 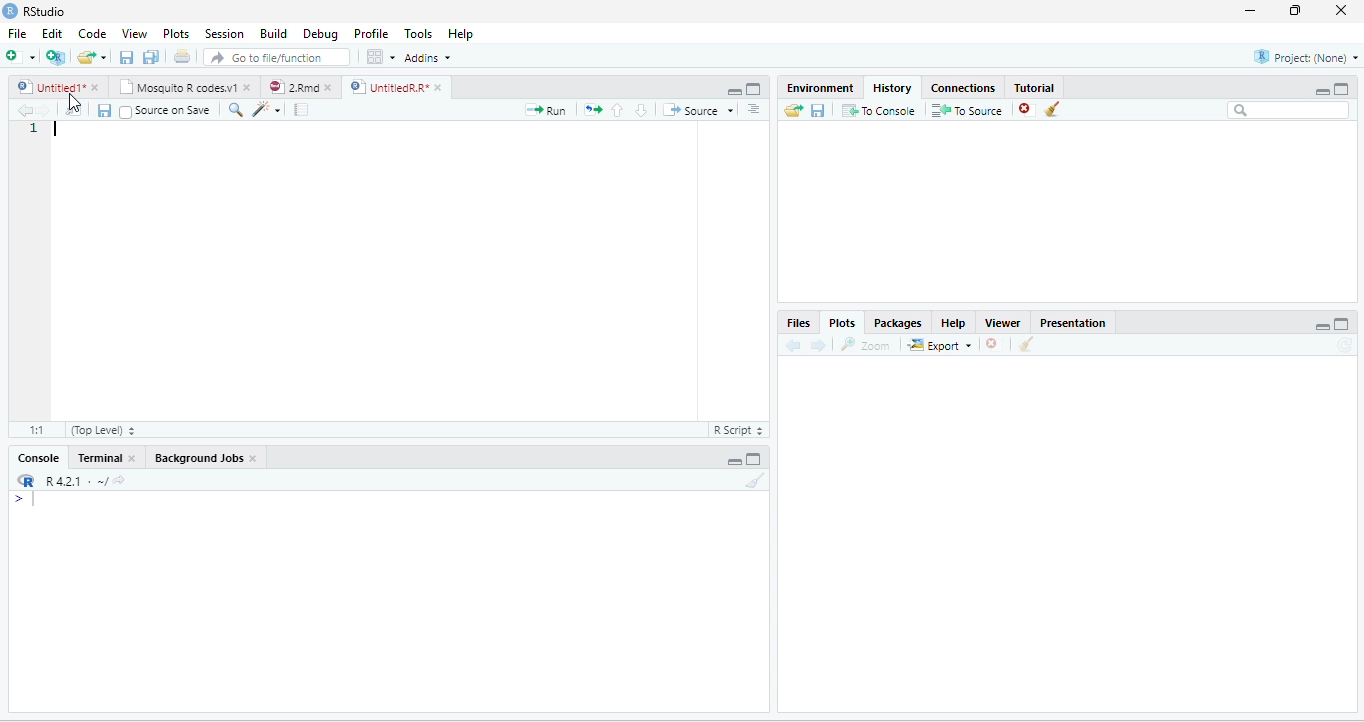 What do you see at coordinates (438, 87) in the screenshot?
I see `close` at bounding box center [438, 87].